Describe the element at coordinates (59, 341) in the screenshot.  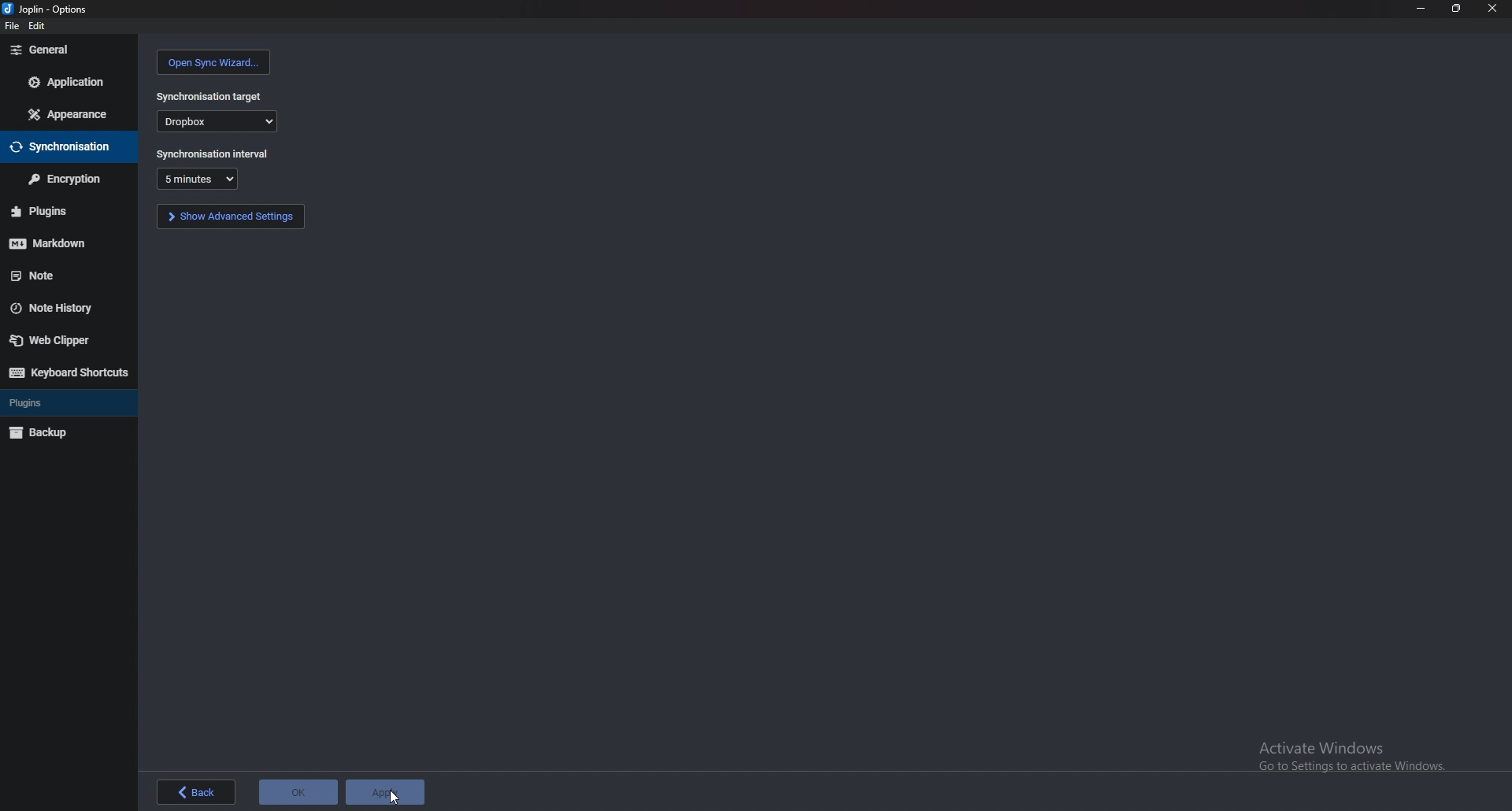
I see `web clipper` at that location.